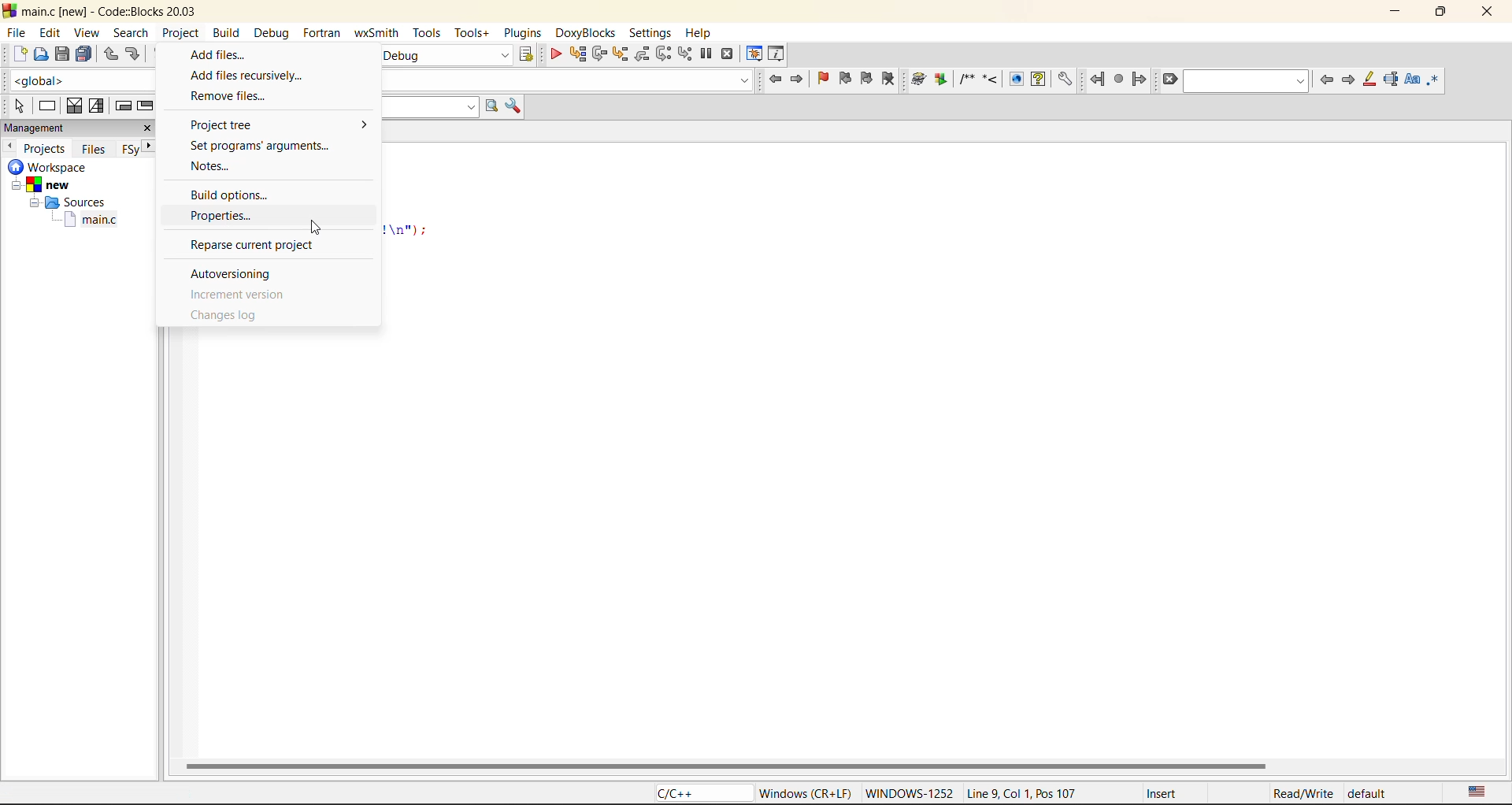 The width and height of the screenshot is (1512, 805). What do you see at coordinates (94, 148) in the screenshot?
I see `files` at bounding box center [94, 148].